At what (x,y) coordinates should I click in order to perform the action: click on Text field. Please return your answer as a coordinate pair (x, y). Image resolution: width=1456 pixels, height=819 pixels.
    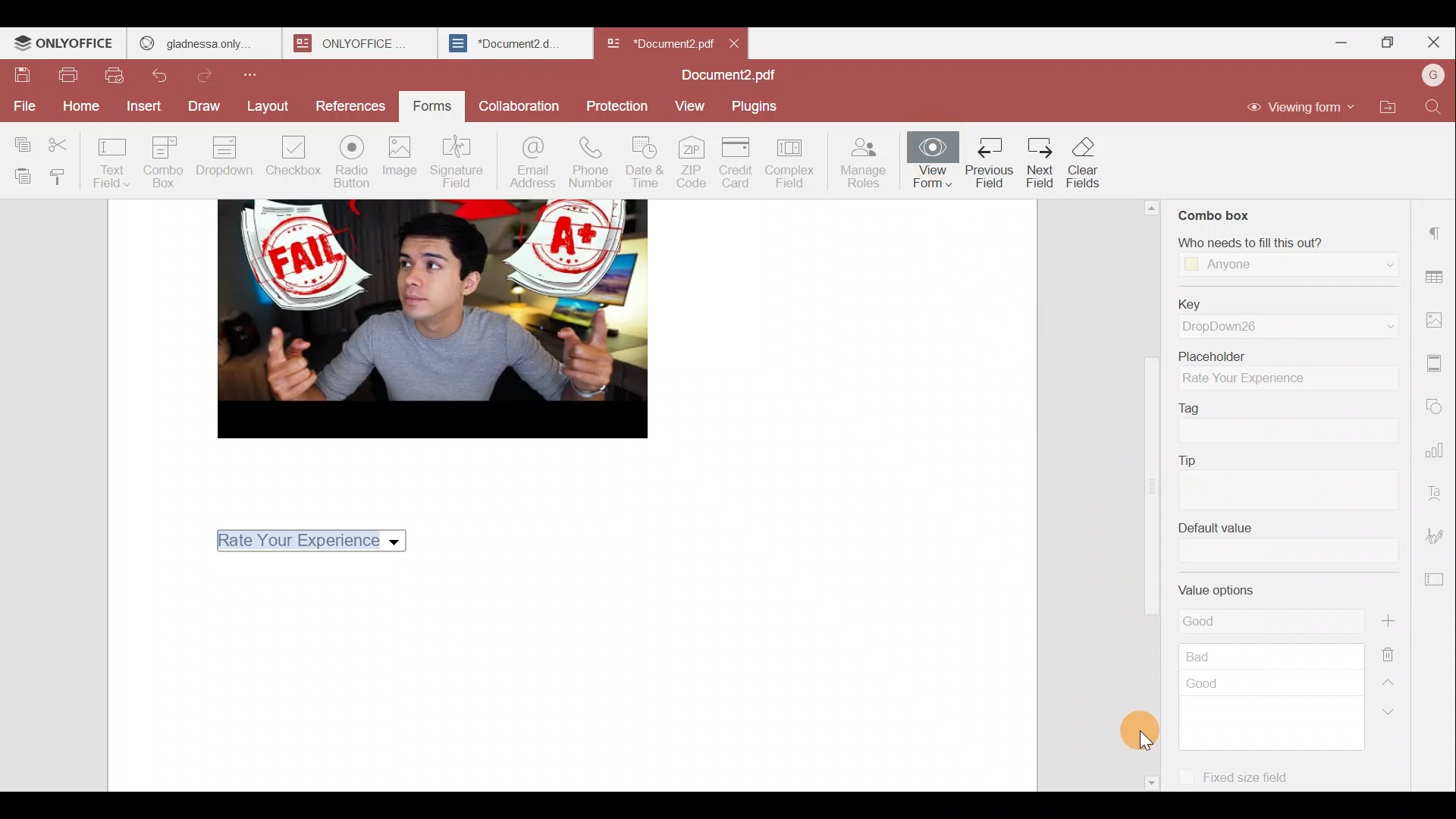
    Looking at the image, I should click on (117, 165).